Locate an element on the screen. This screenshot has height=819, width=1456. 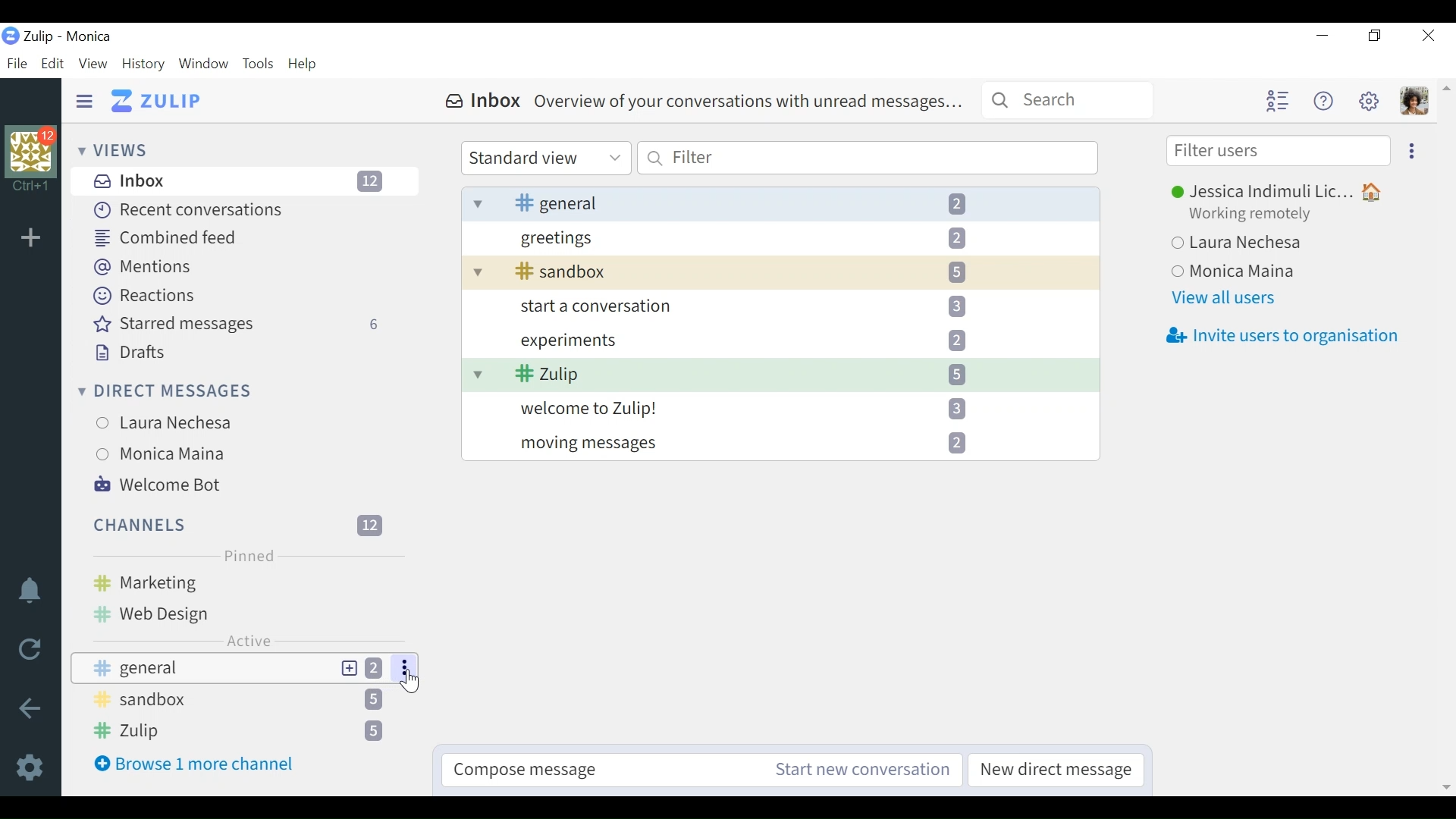
Tools is located at coordinates (259, 64).